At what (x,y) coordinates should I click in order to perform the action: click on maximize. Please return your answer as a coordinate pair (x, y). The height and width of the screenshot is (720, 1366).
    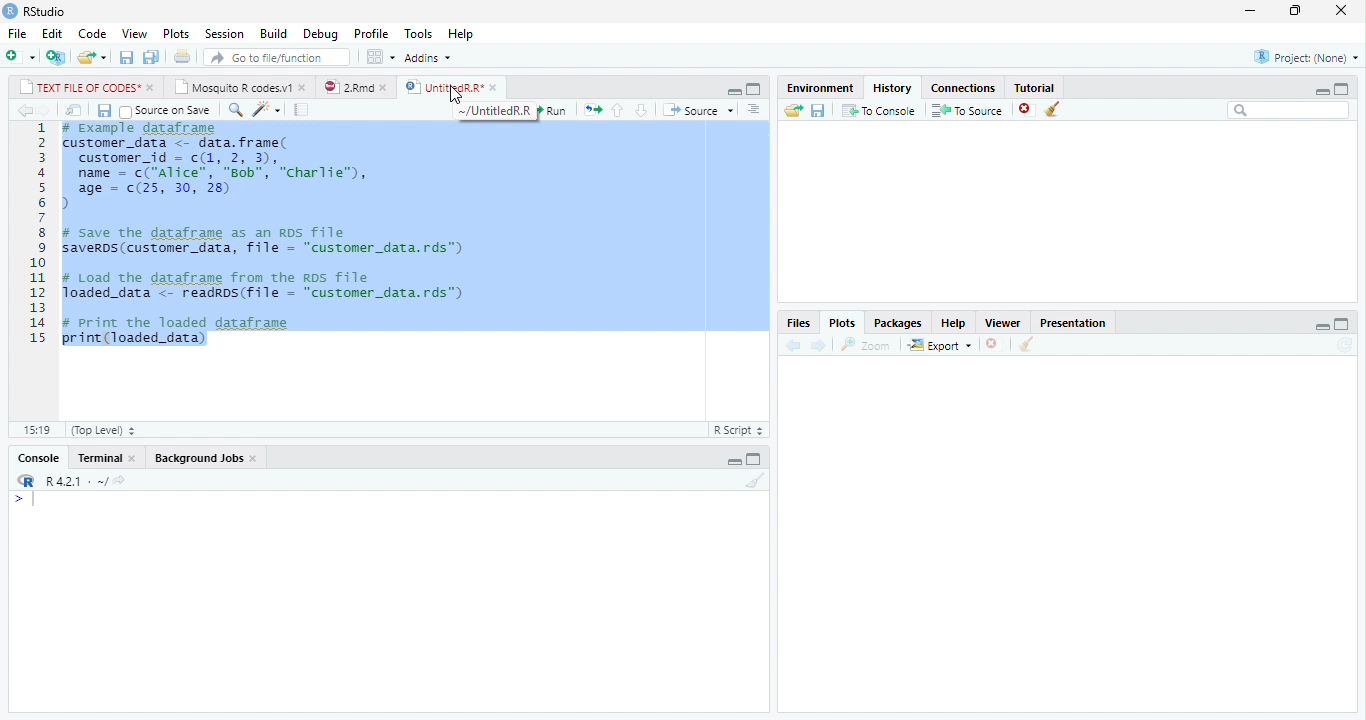
    Looking at the image, I should click on (753, 89).